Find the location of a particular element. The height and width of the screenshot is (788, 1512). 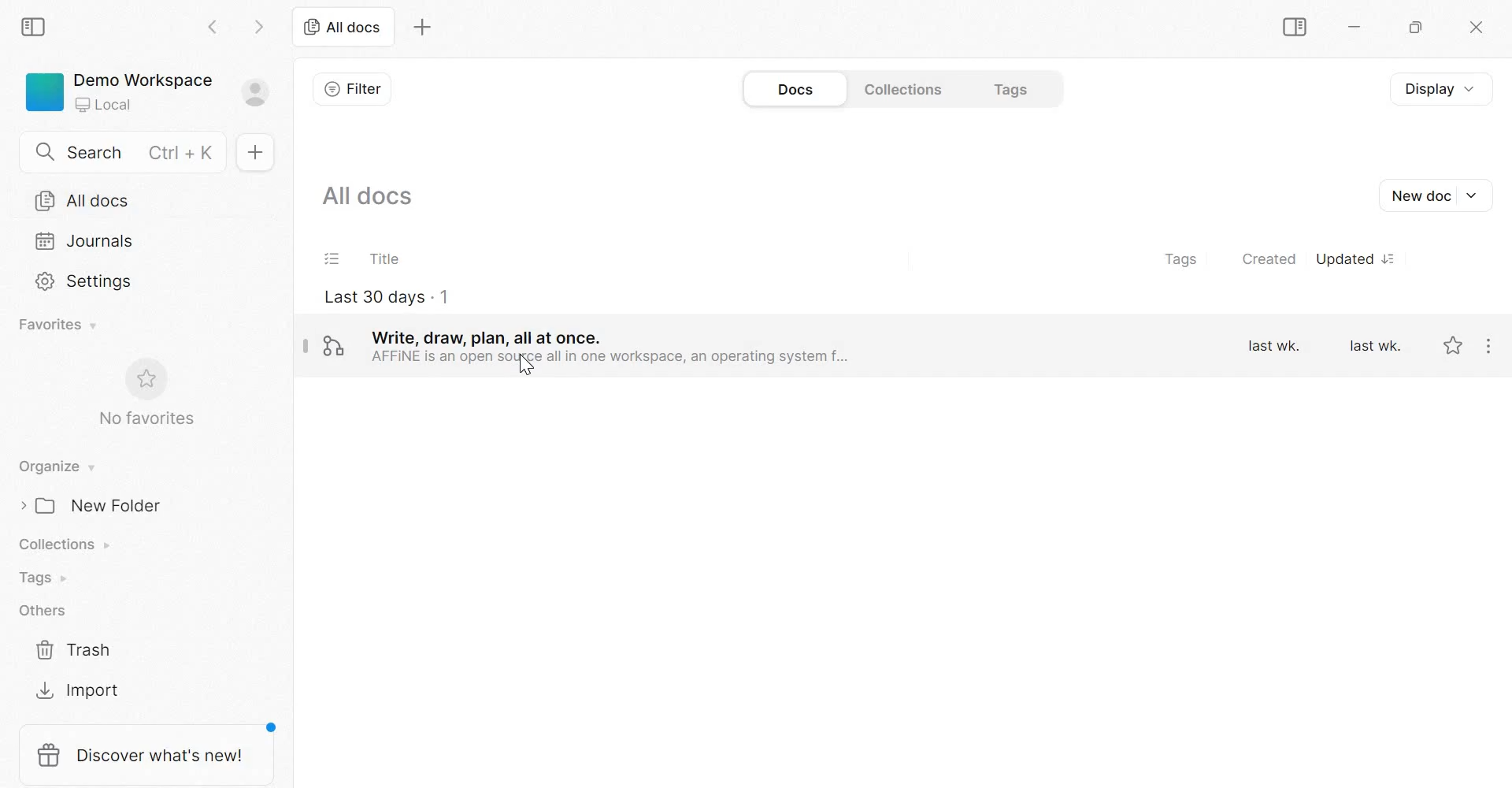

last wk. is located at coordinates (1275, 344).